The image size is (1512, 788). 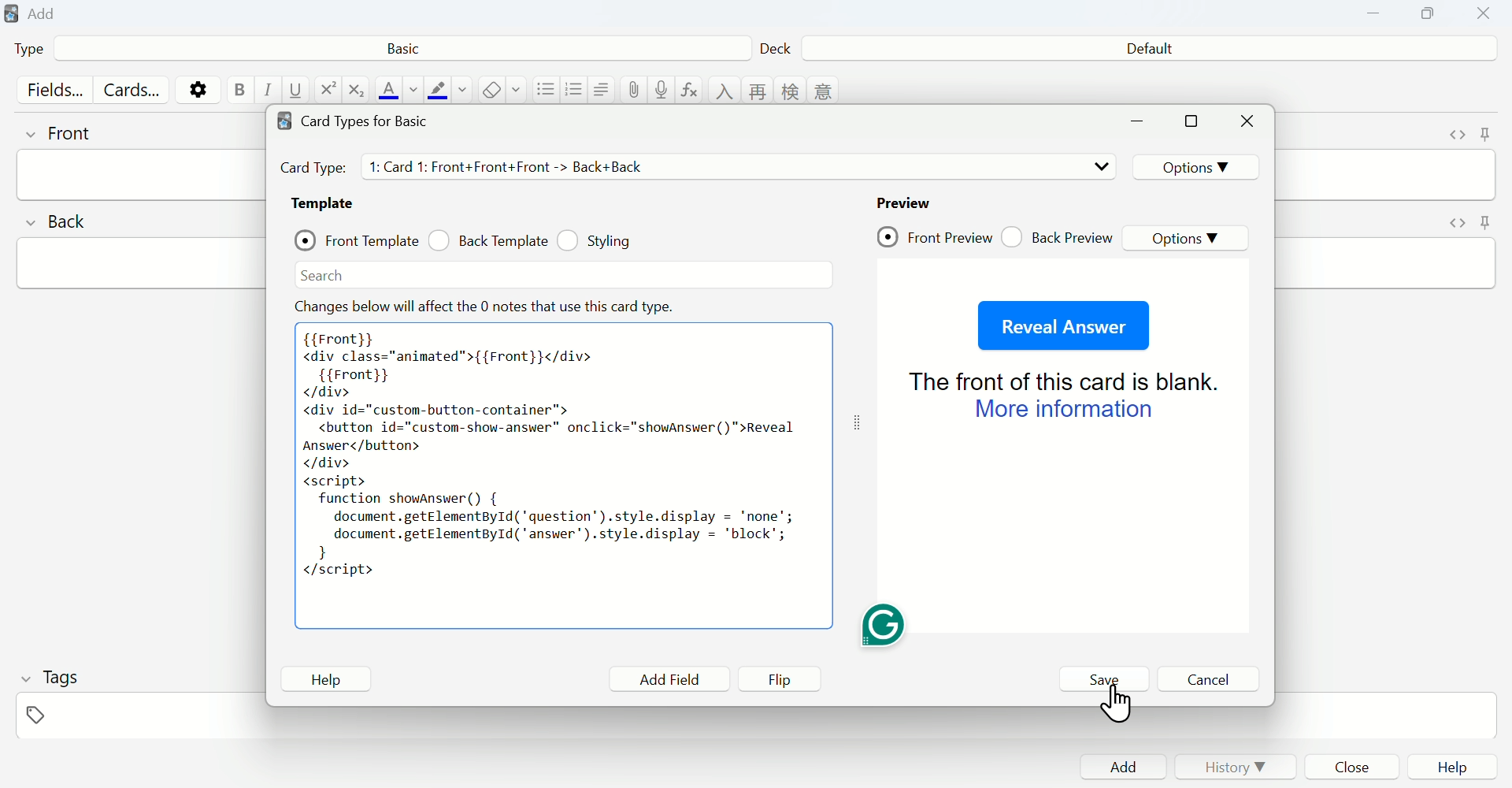 I want to click on Options, so click(x=1185, y=238).